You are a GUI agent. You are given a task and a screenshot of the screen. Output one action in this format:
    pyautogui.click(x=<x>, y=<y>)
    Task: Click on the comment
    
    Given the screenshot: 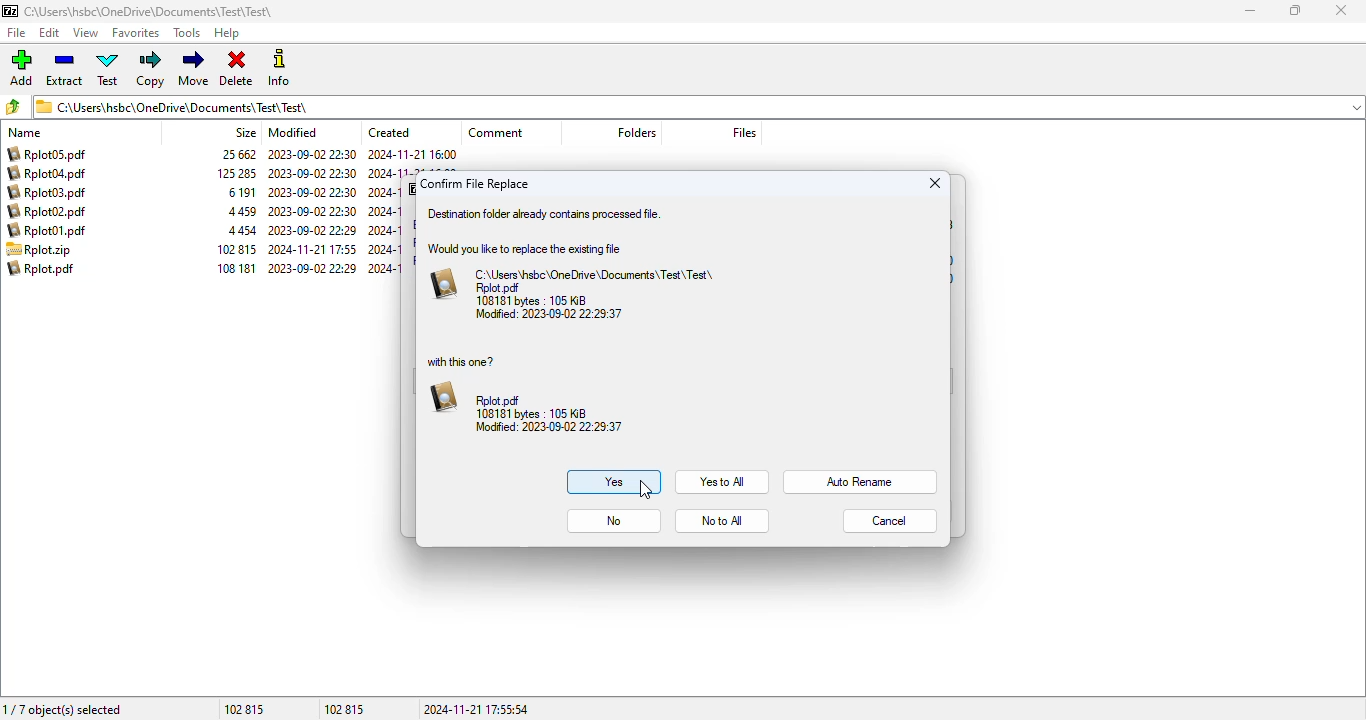 What is the action you would take?
    pyautogui.click(x=496, y=132)
    